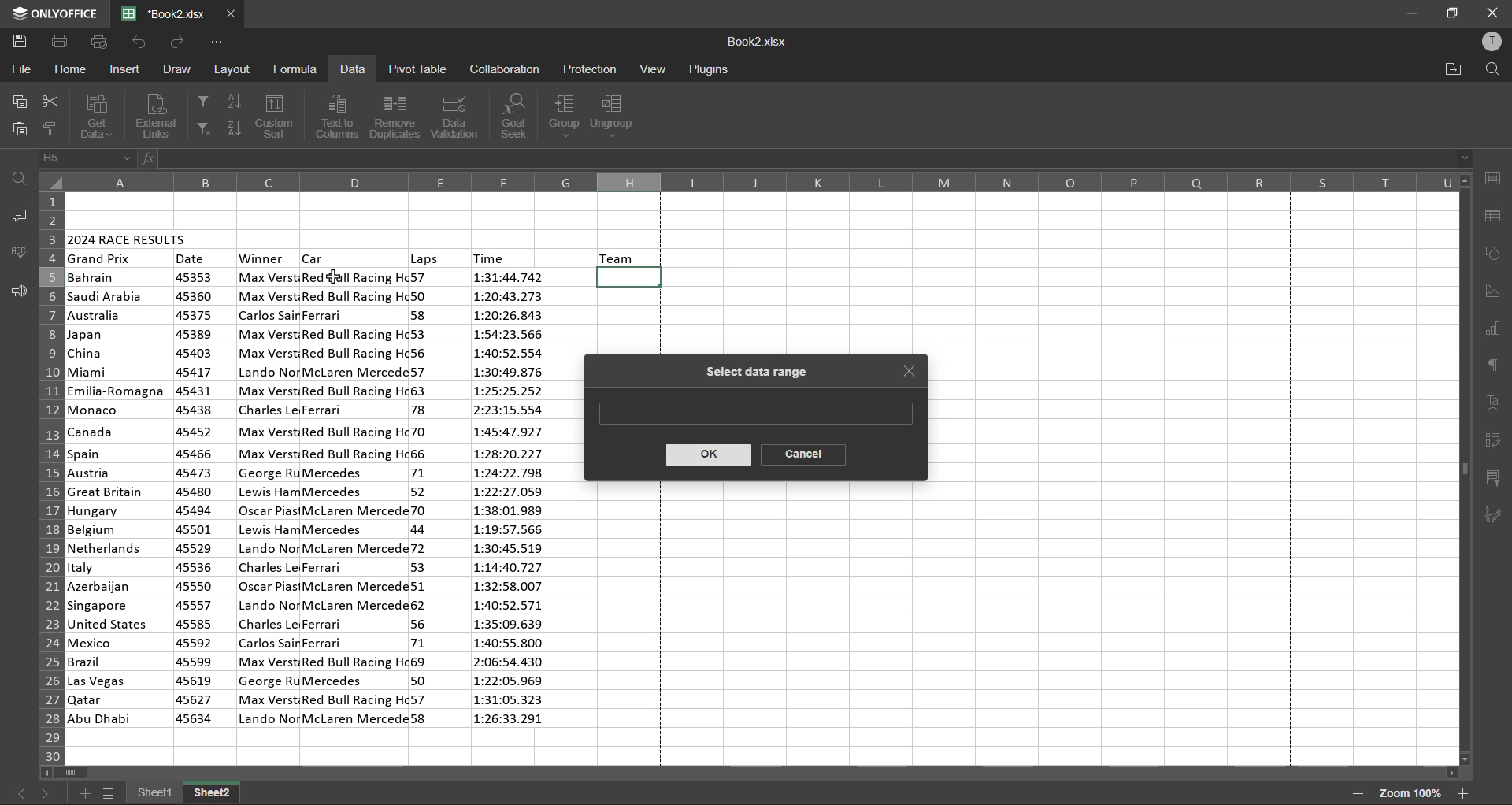 Image resolution: width=1512 pixels, height=805 pixels. Describe the element at coordinates (16, 215) in the screenshot. I see `comments` at that location.